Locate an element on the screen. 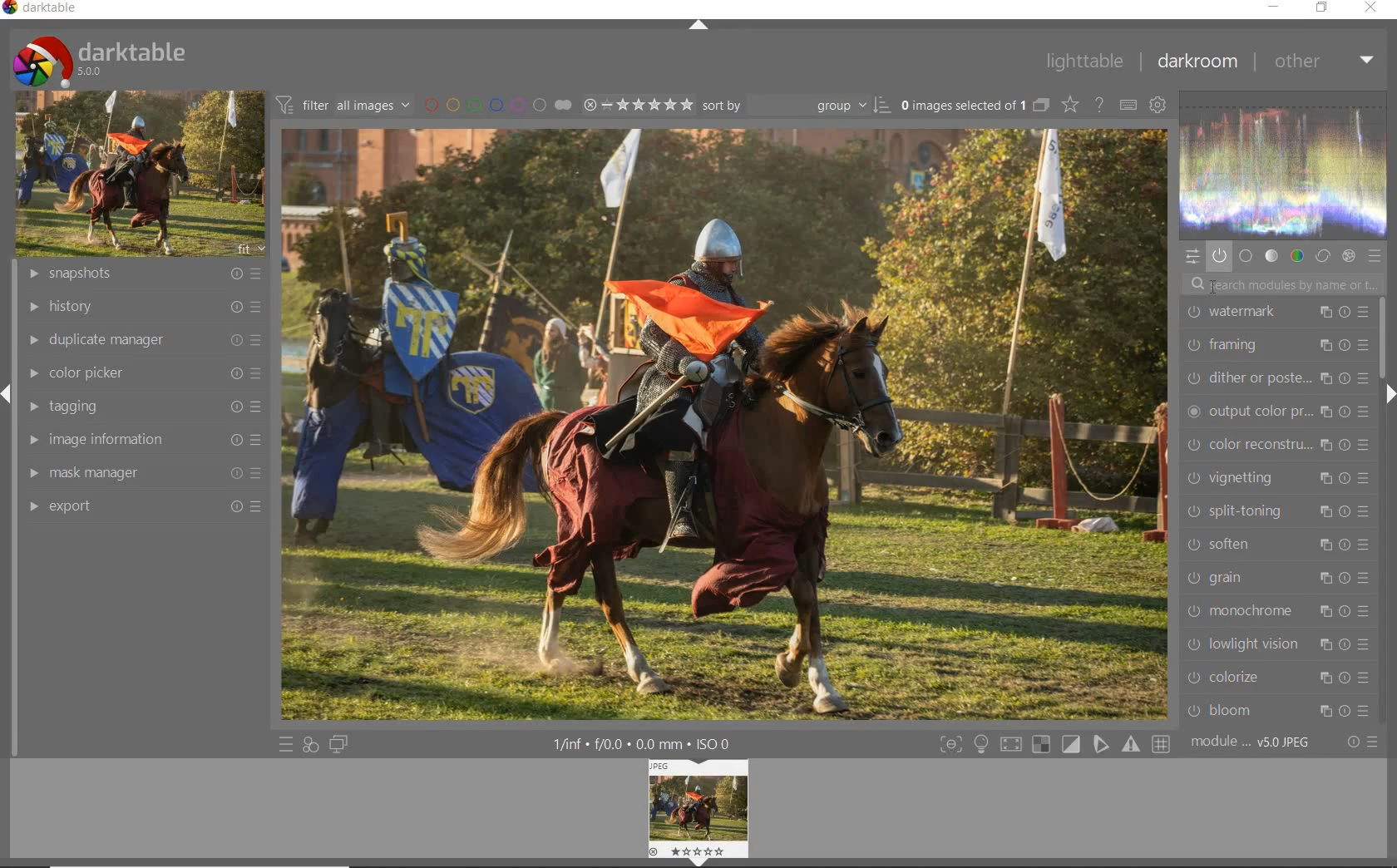  reset or presets & preferences is located at coordinates (1361, 742).